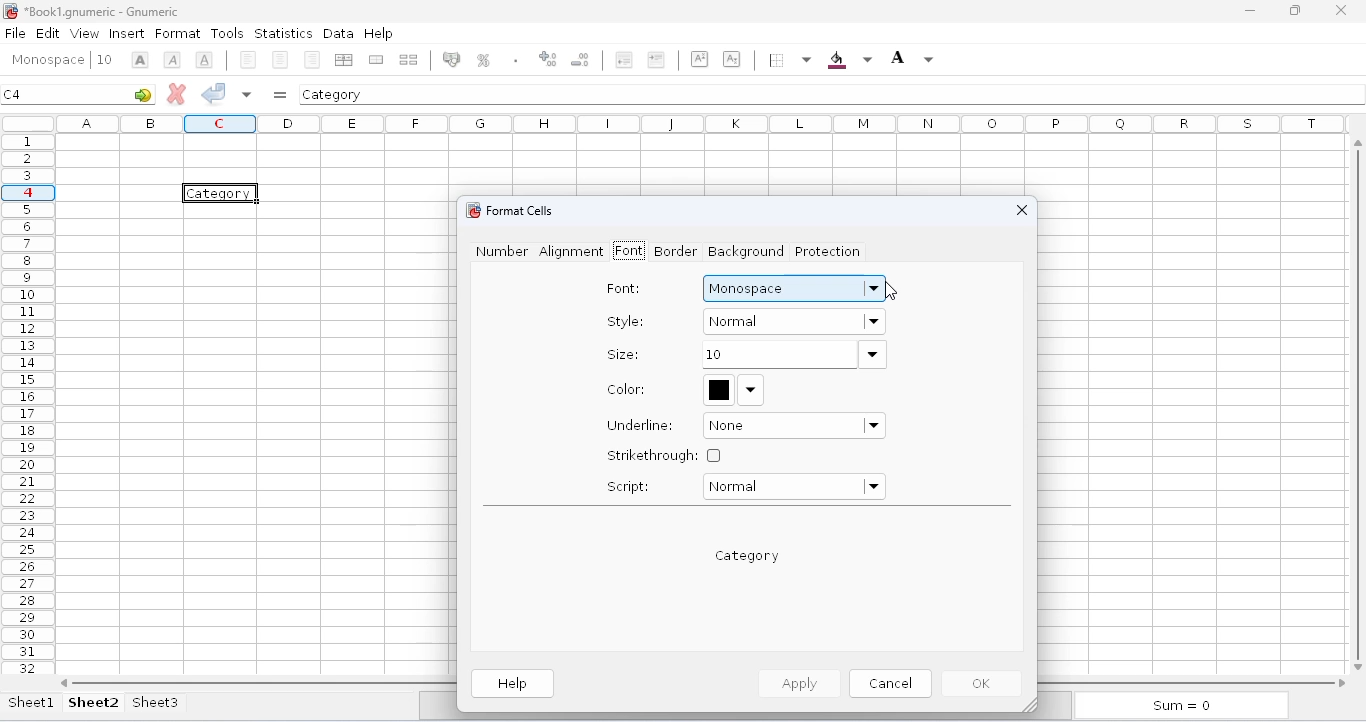  Describe the element at coordinates (656, 59) in the screenshot. I see `increase the indent` at that location.